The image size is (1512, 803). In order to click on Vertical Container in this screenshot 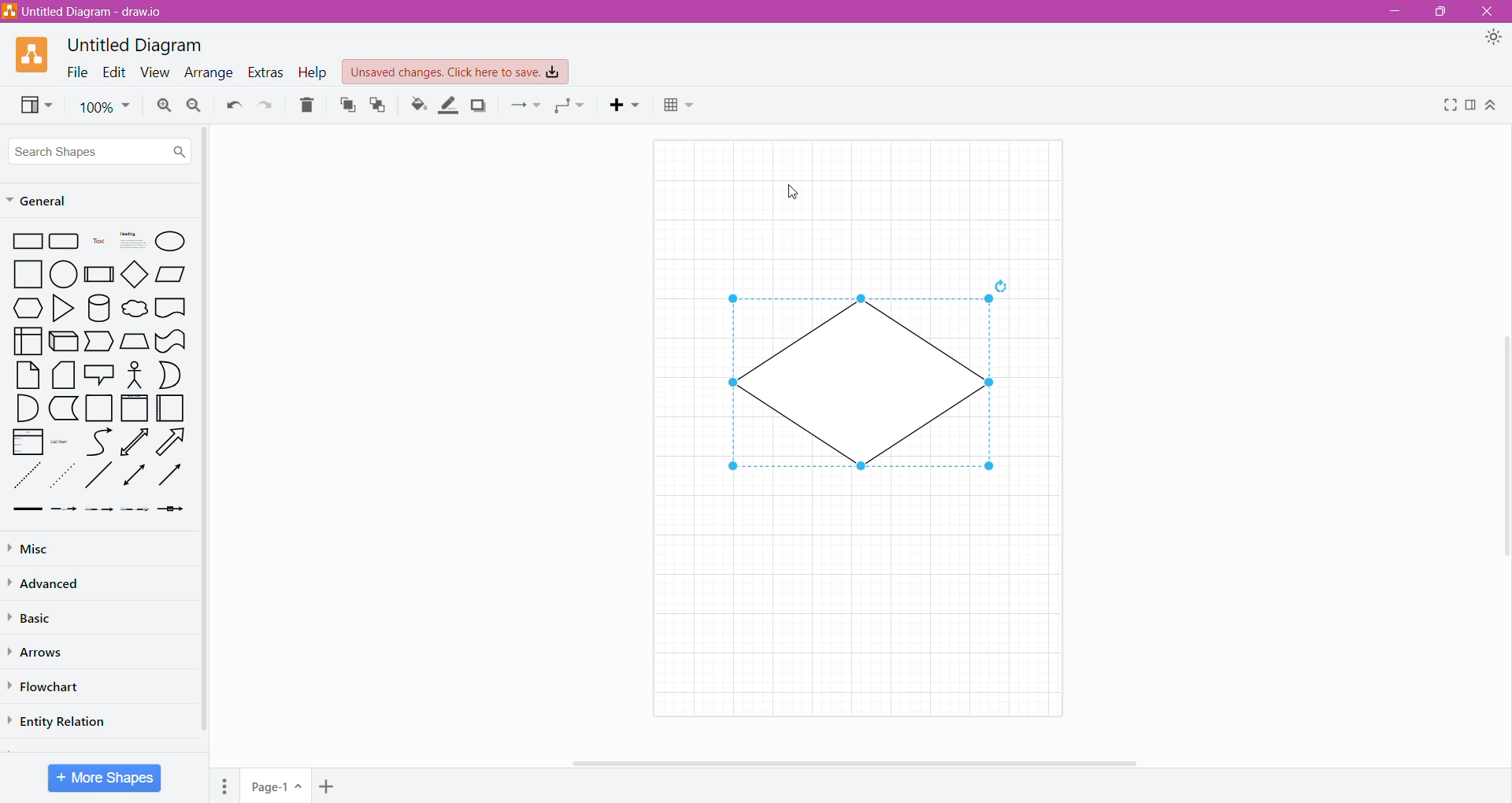, I will do `click(134, 409)`.